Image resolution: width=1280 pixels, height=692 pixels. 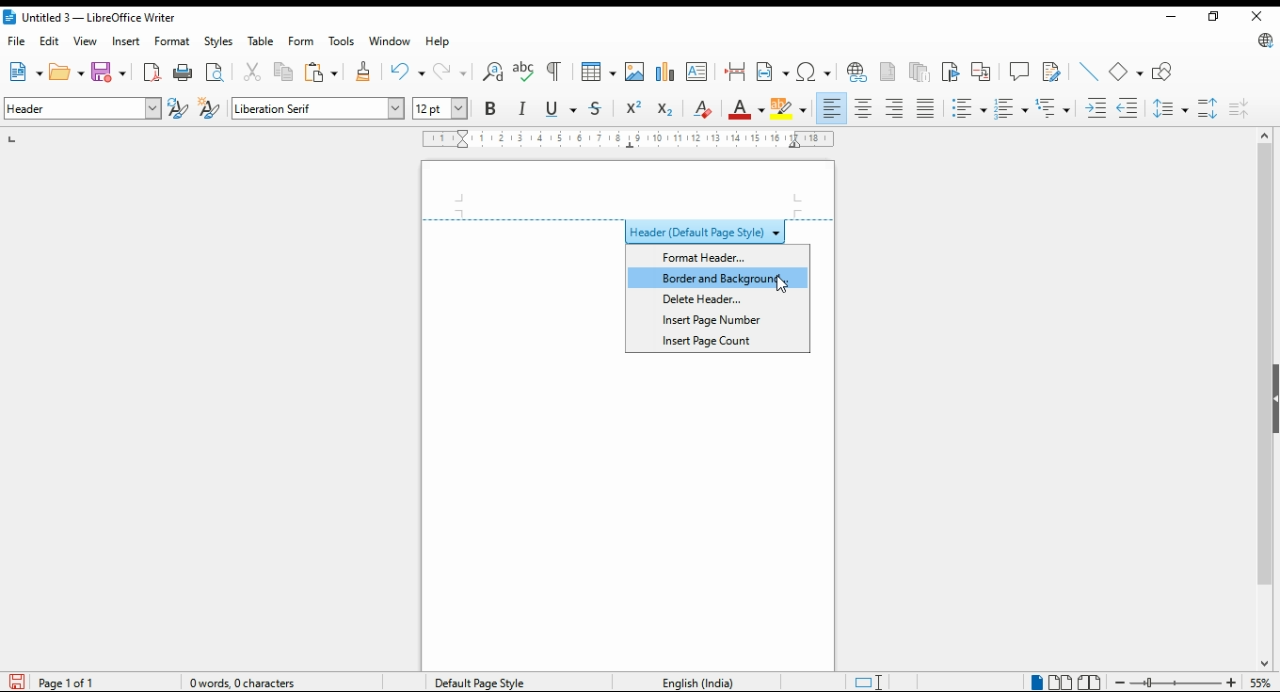 What do you see at coordinates (452, 71) in the screenshot?
I see `redo` at bounding box center [452, 71].